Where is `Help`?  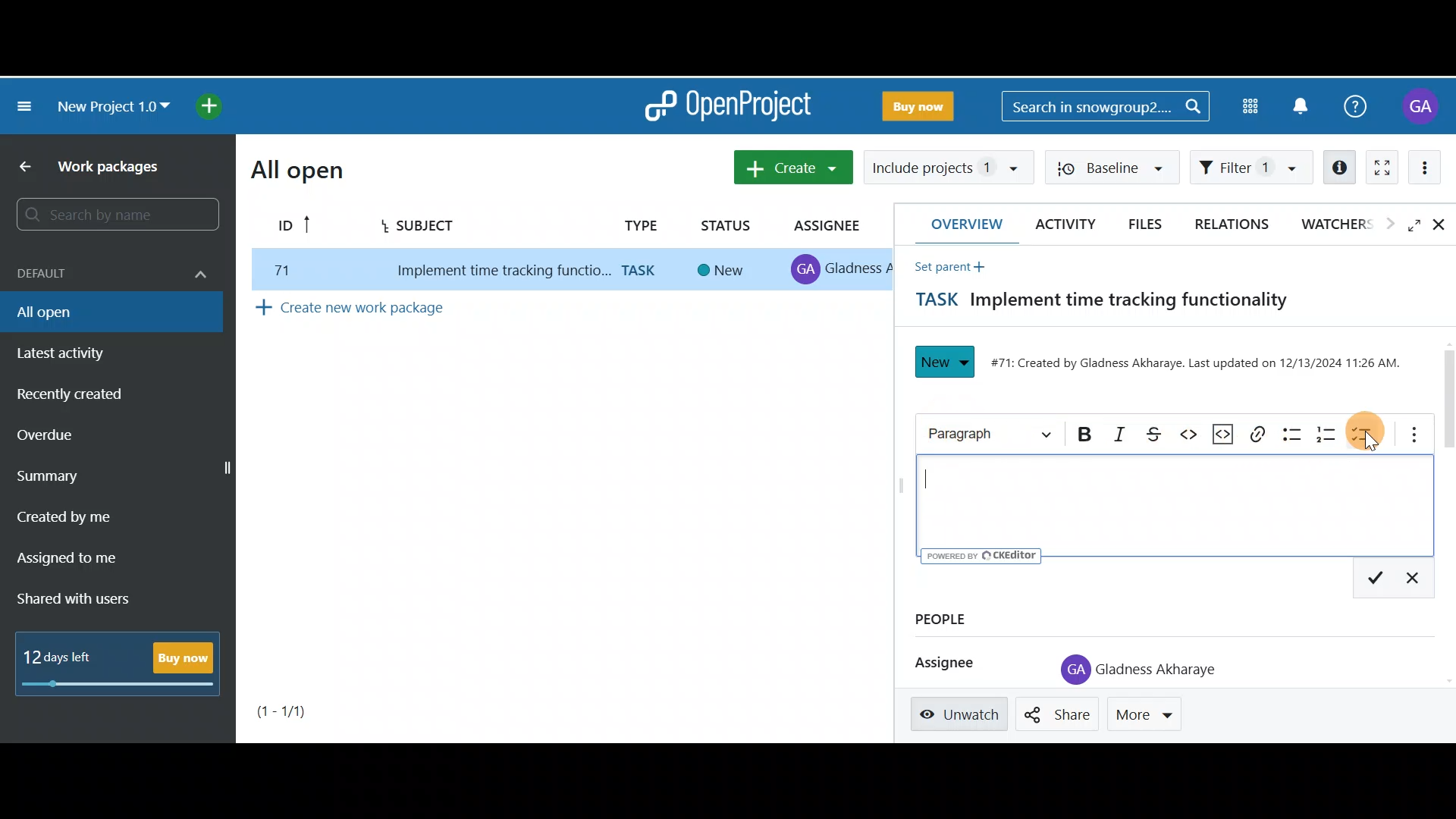
Help is located at coordinates (1359, 111).